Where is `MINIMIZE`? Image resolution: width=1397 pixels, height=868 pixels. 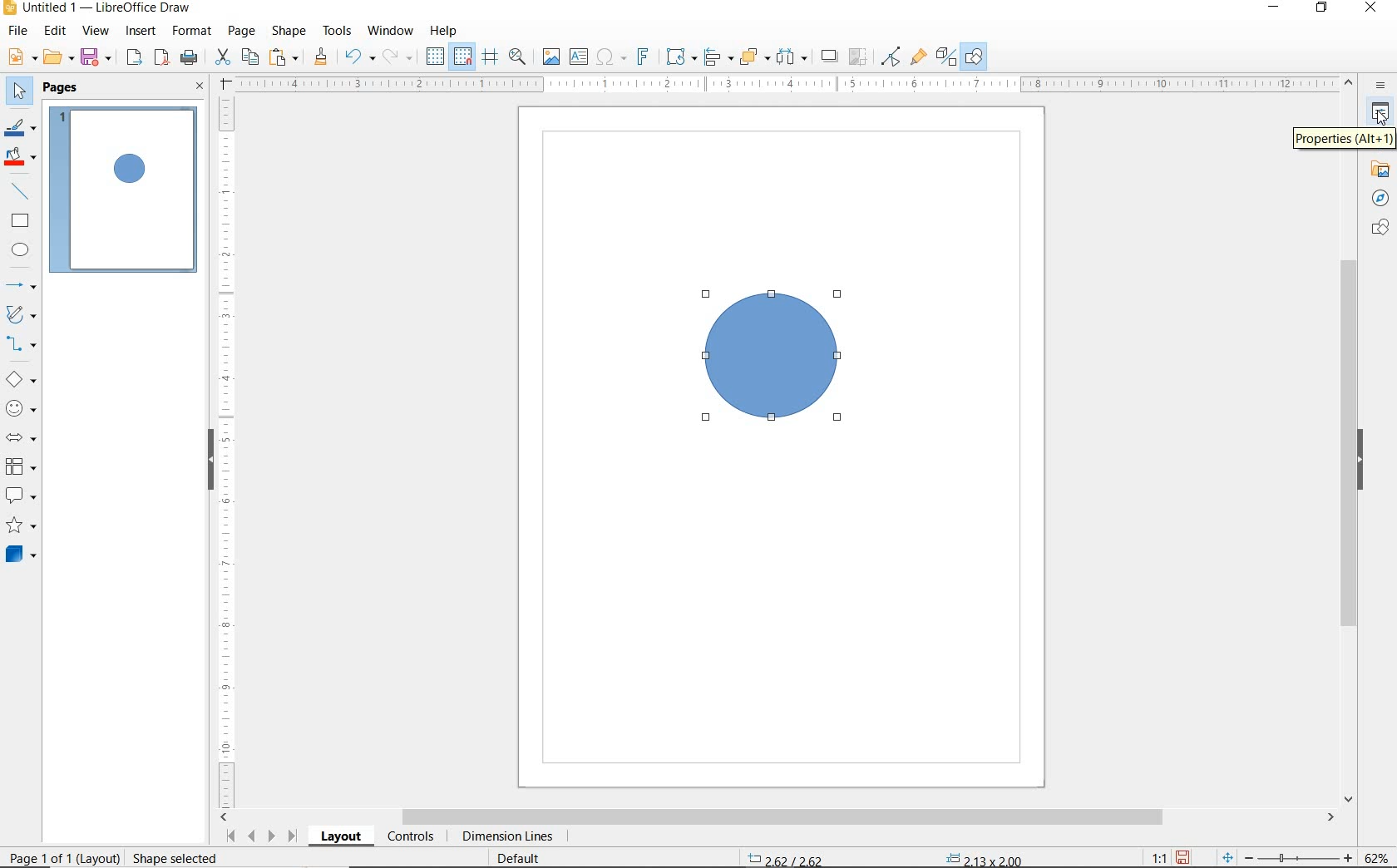 MINIMIZE is located at coordinates (1272, 8).